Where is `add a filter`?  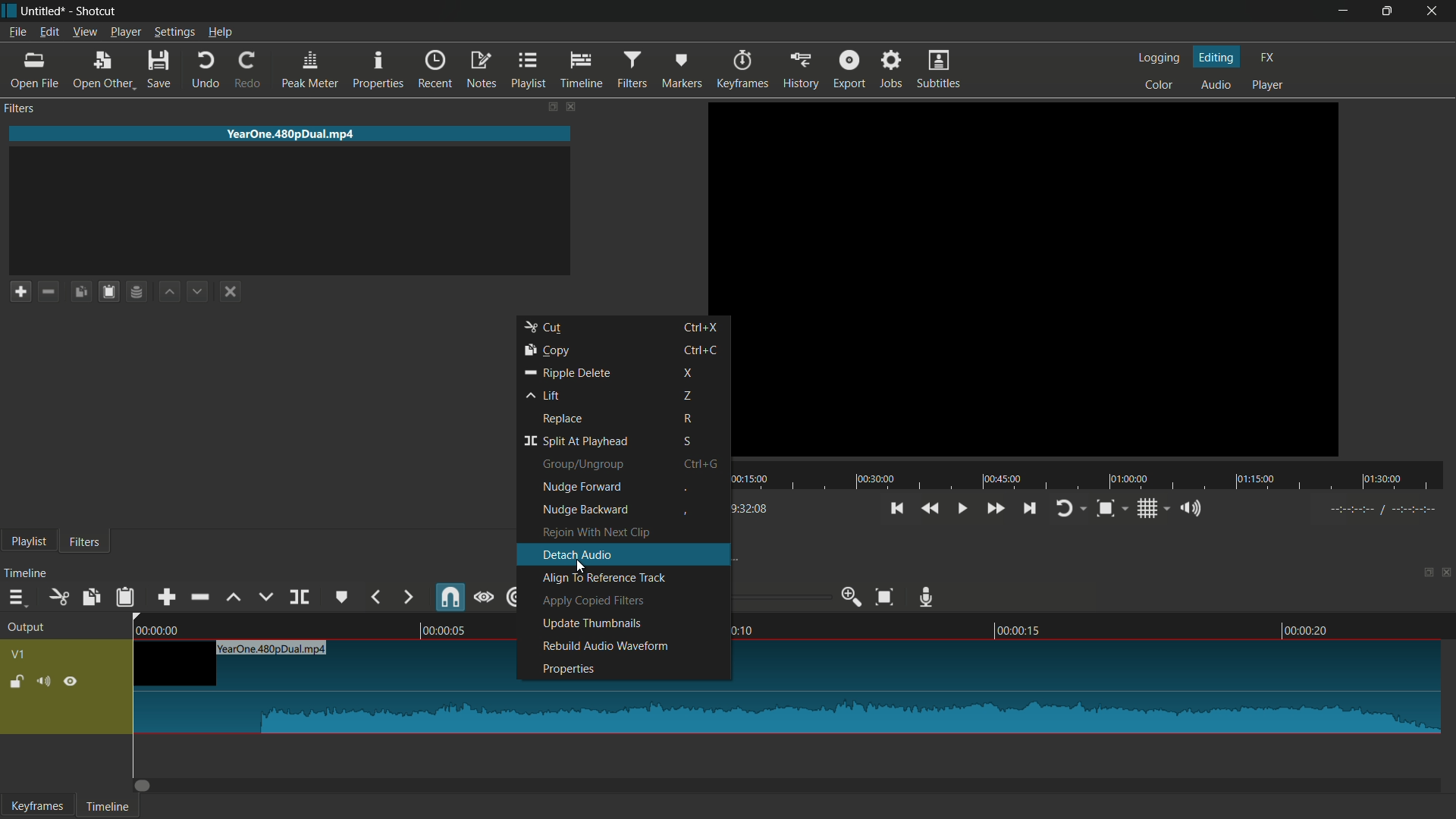
add a filter is located at coordinates (20, 292).